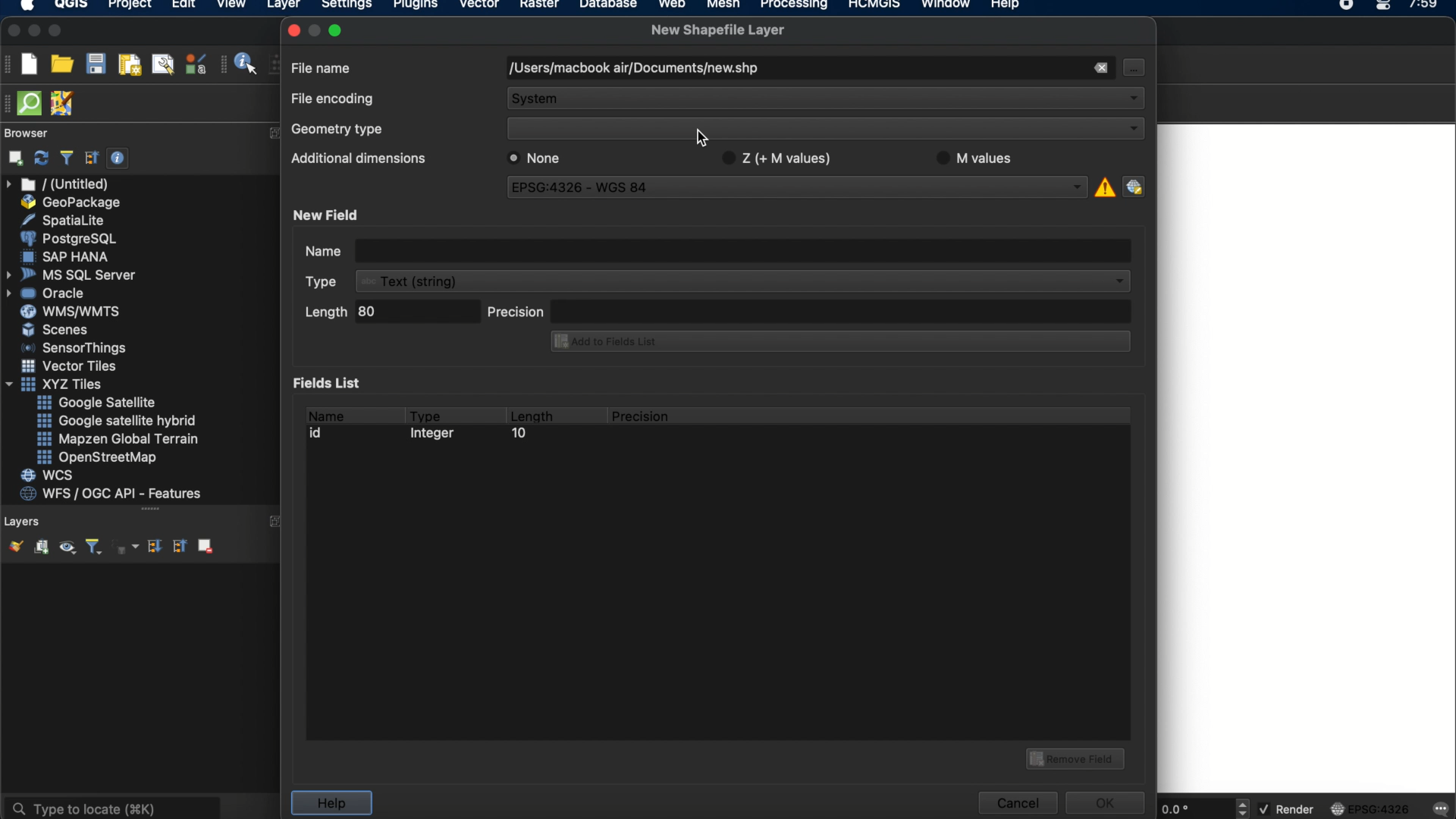 This screenshot has width=1456, height=819. I want to click on expand, so click(272, 132).